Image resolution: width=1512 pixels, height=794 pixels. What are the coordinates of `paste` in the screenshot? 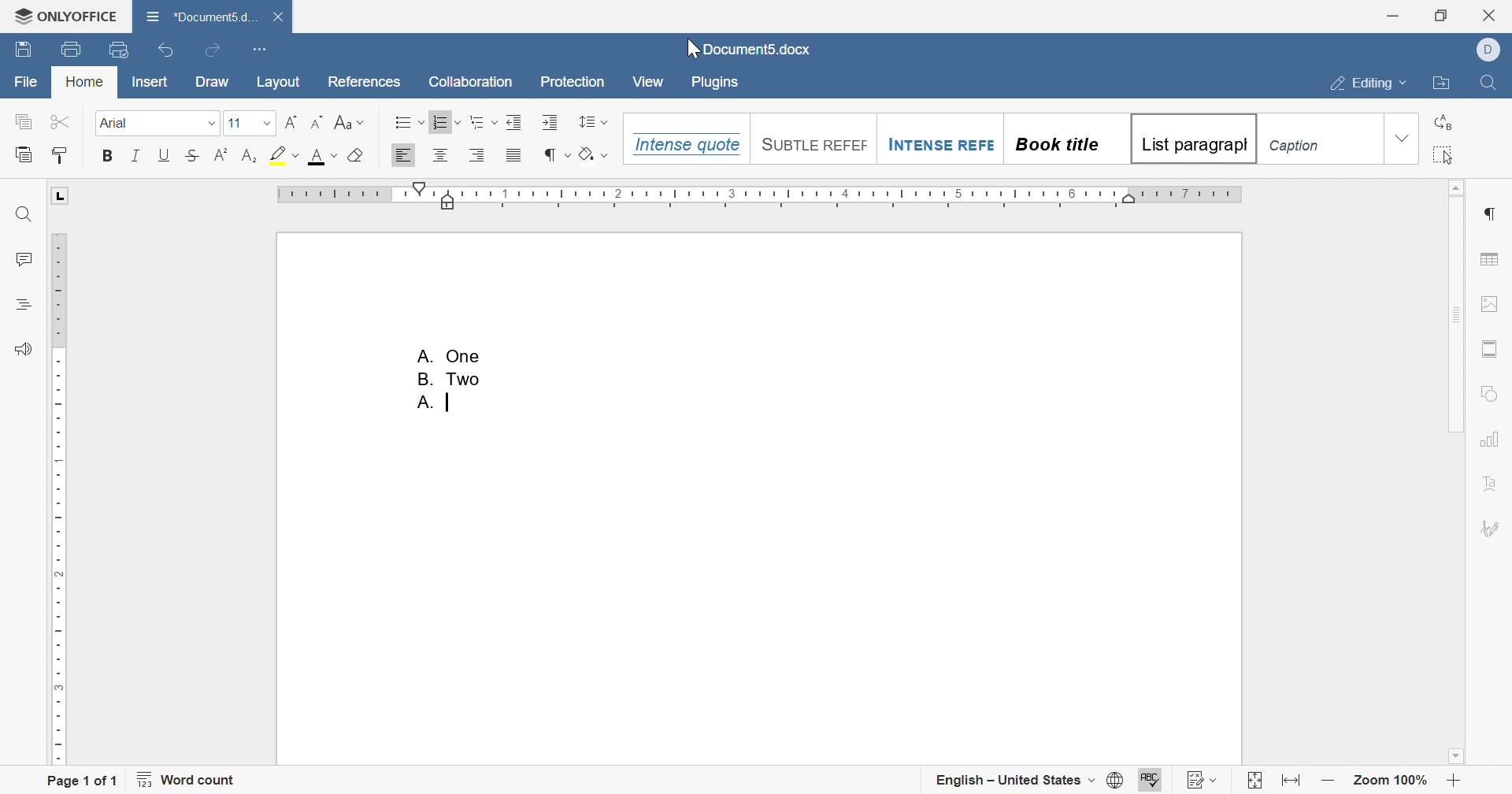 It's located at (23, 153).